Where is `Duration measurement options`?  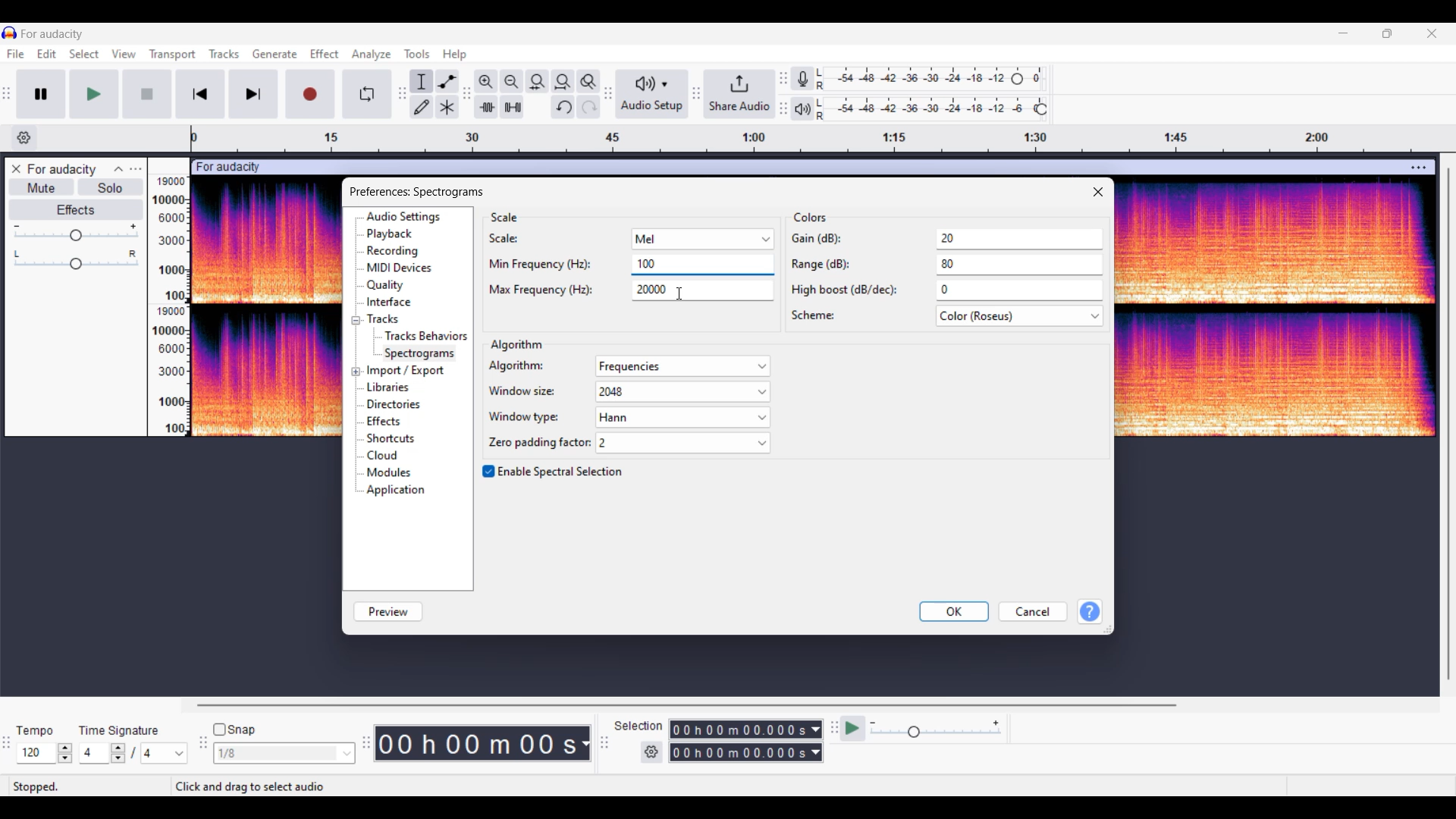 Duration measurement options is located at coordinates (585, 743).